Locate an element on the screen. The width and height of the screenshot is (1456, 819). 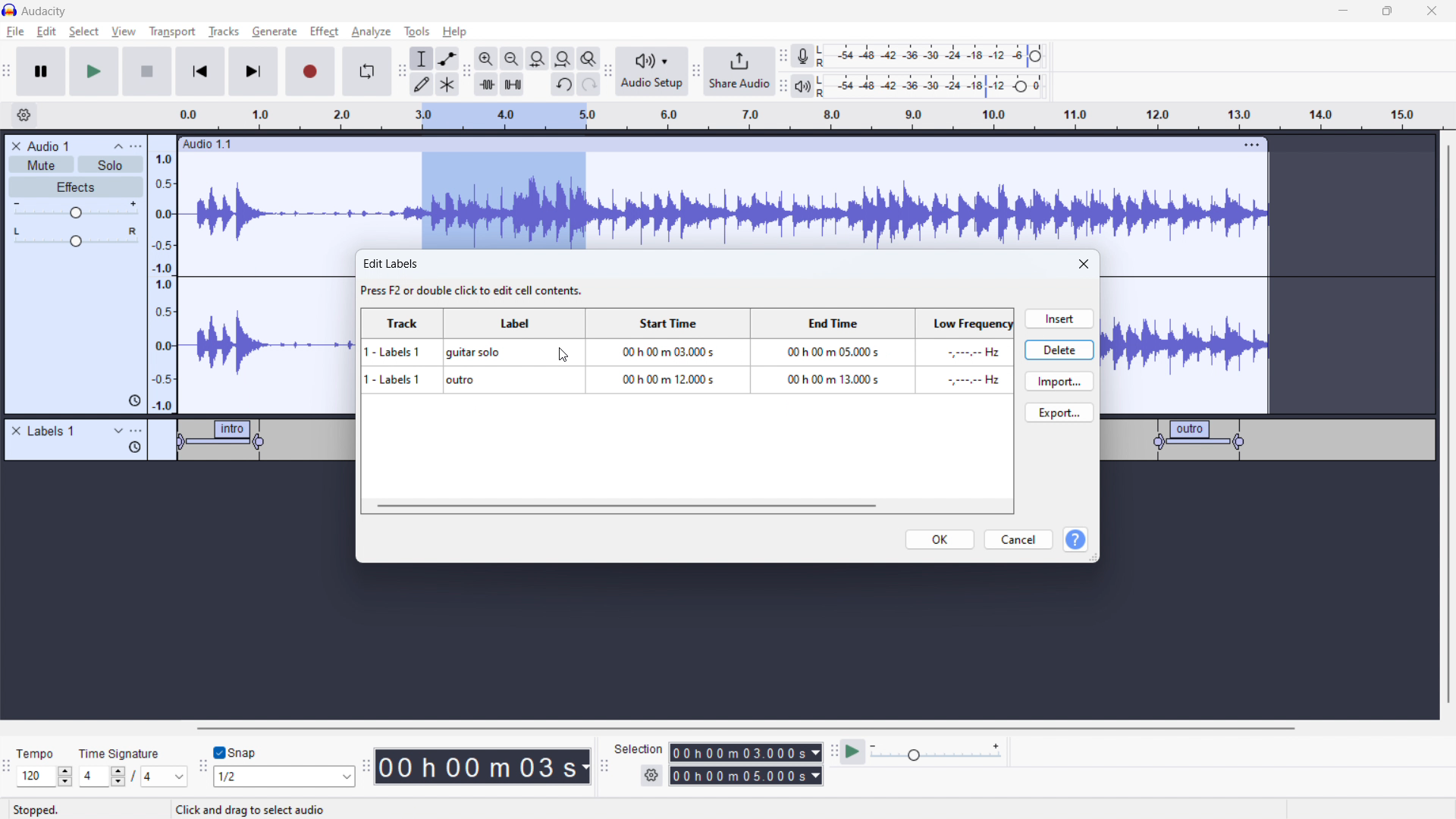
toggle zoom is located at coordinates (588, 58).